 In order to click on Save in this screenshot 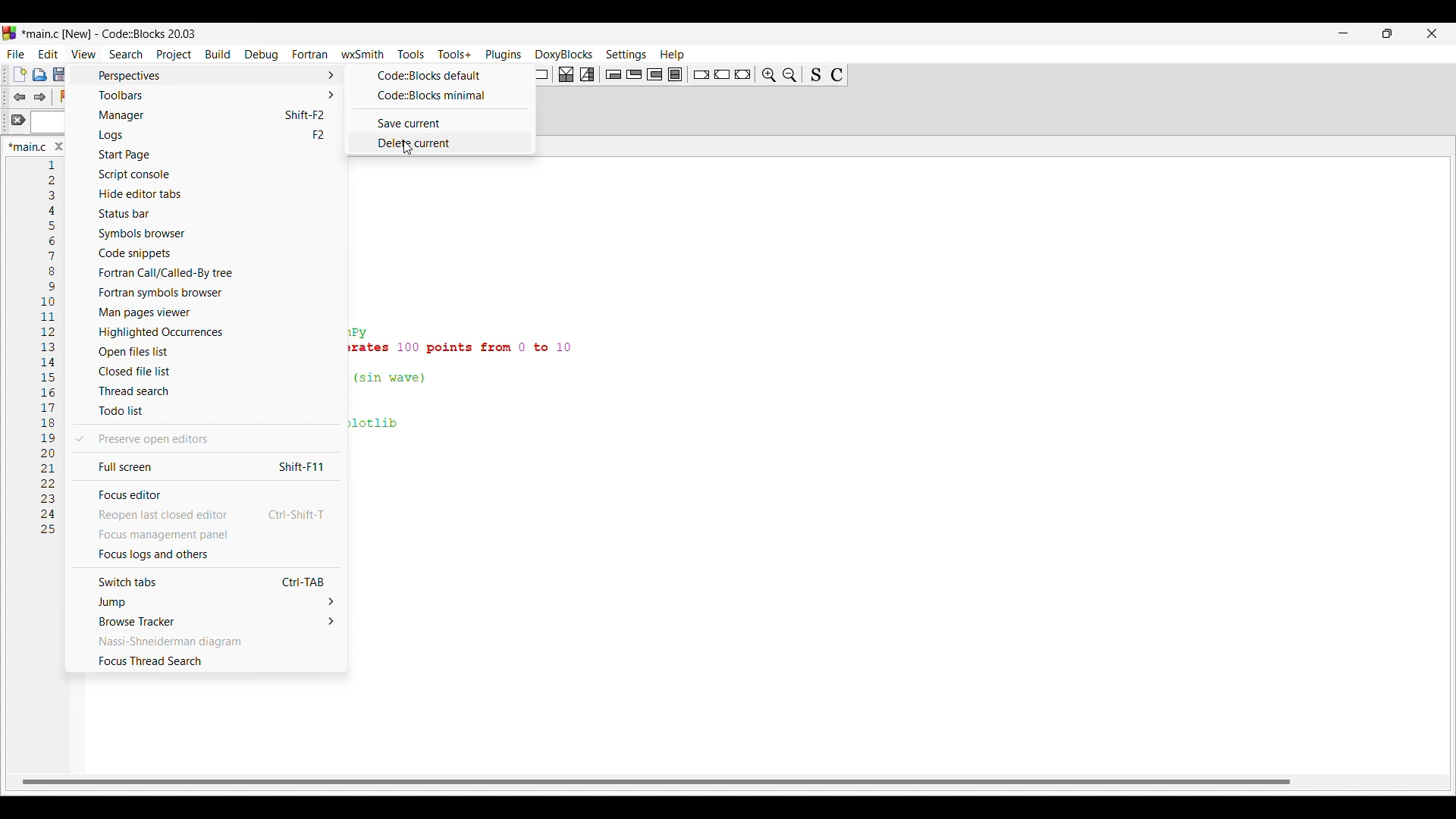, I will do `click(60, 74)`.